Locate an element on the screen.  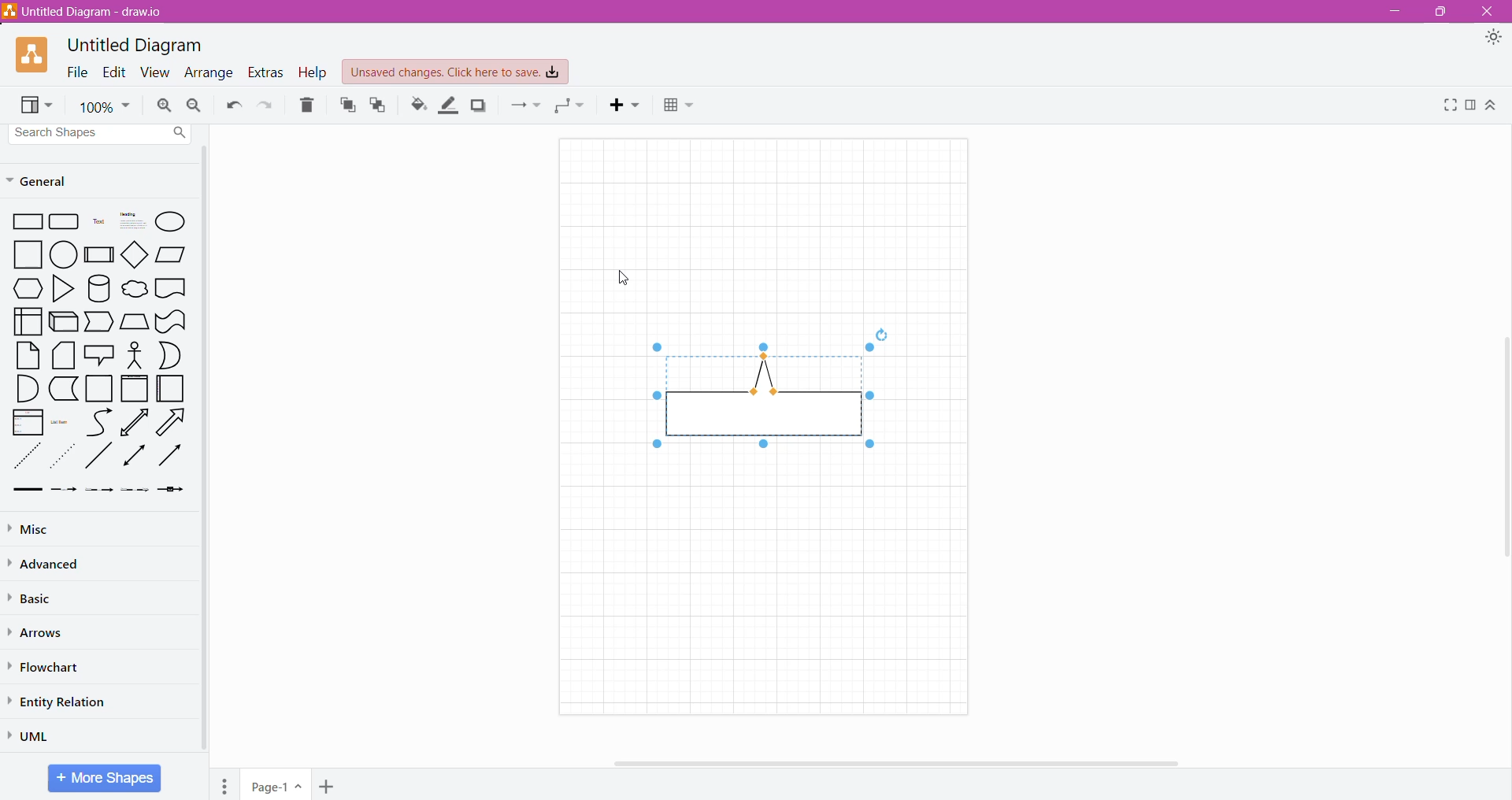
Zoom is located at coordinates (104, 105).